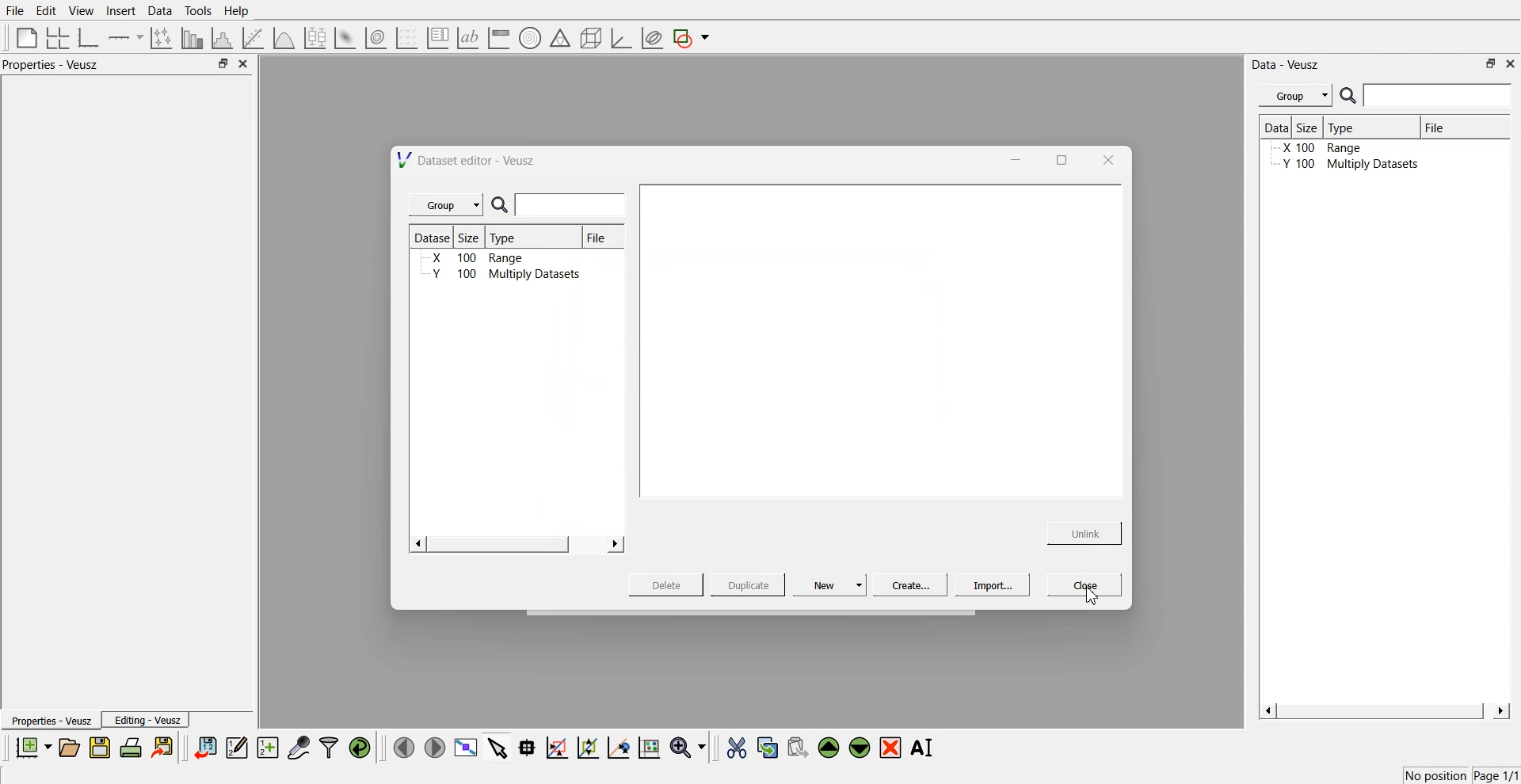  Describe the element at coordinates (51, 721) in the screenshot. I see `Properties - Veusz` at that location.